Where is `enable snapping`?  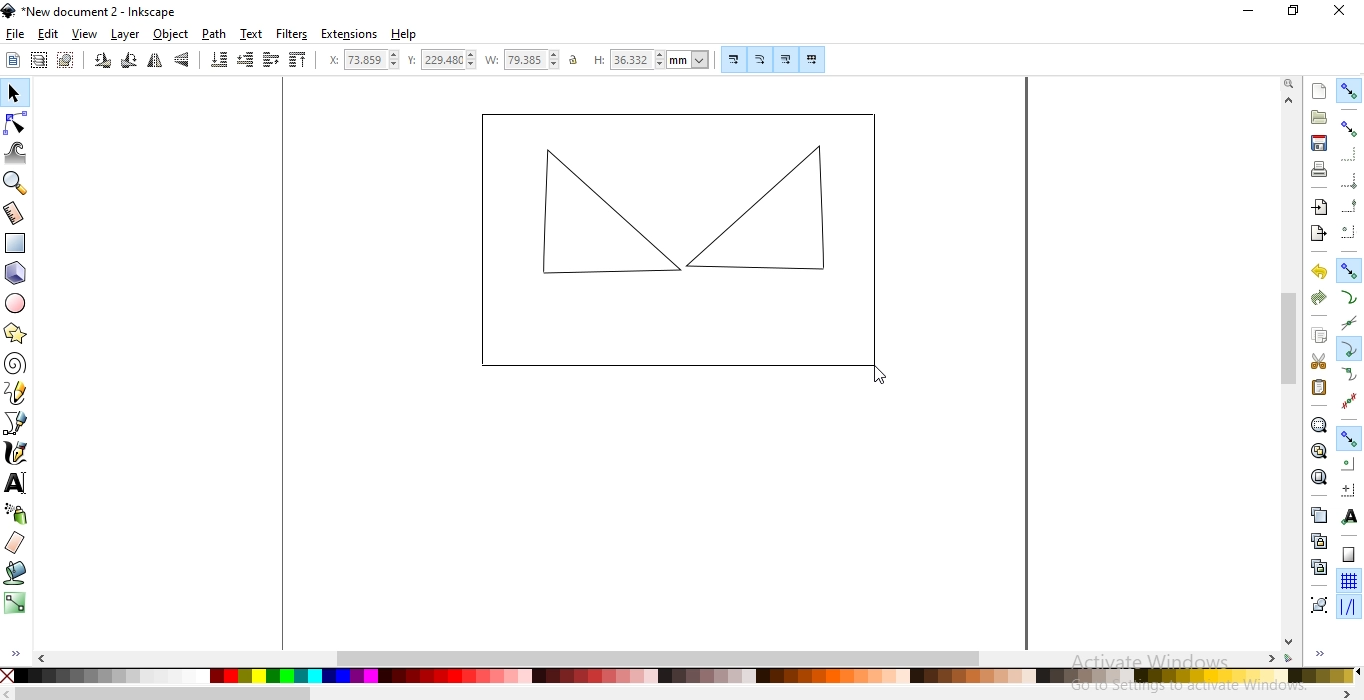 enable snapping is located at coordinates (1349, 91).